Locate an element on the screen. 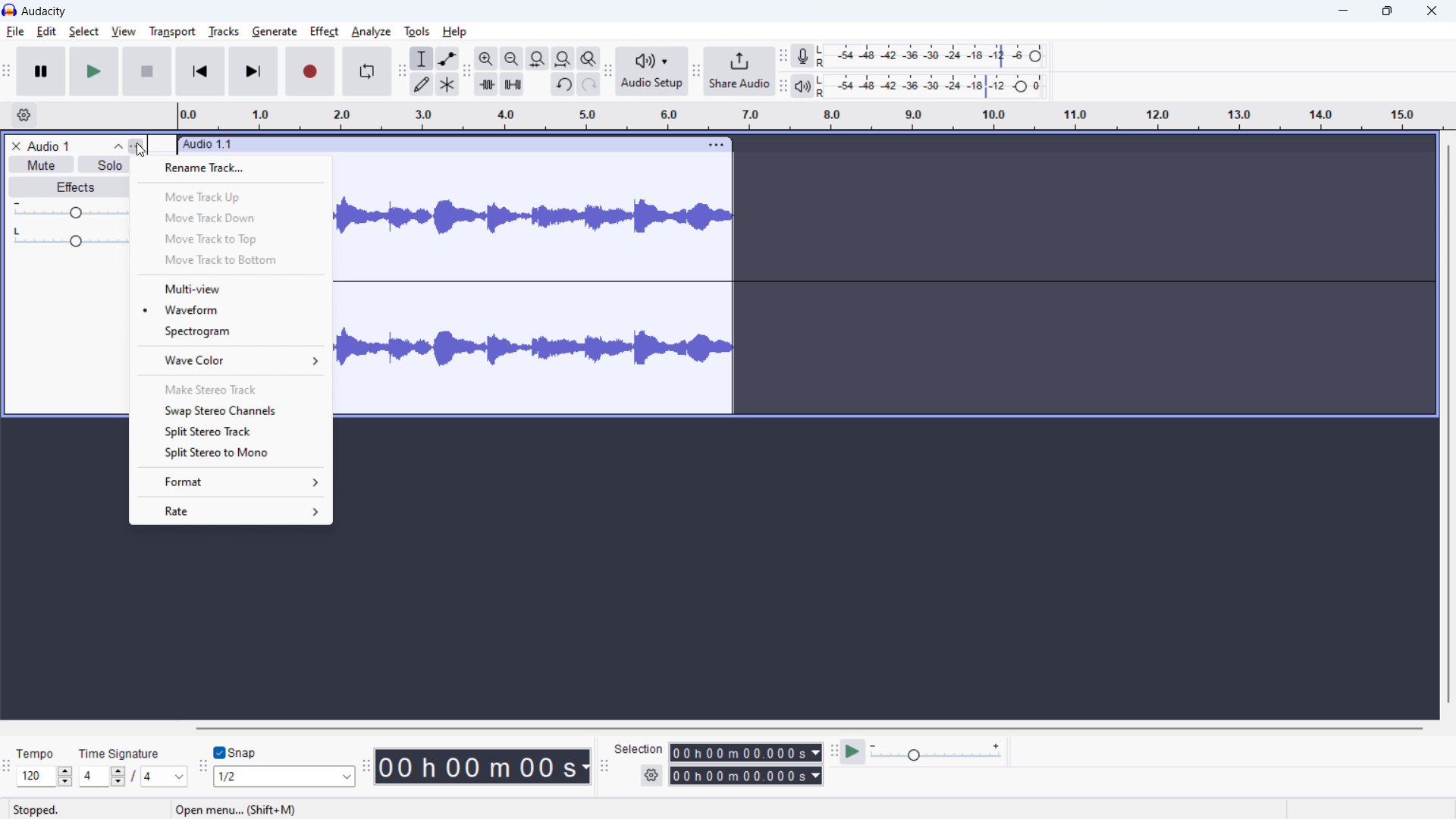 This screenshot has height=819, width=1456. selection tool is located at coordinates (422, 58).